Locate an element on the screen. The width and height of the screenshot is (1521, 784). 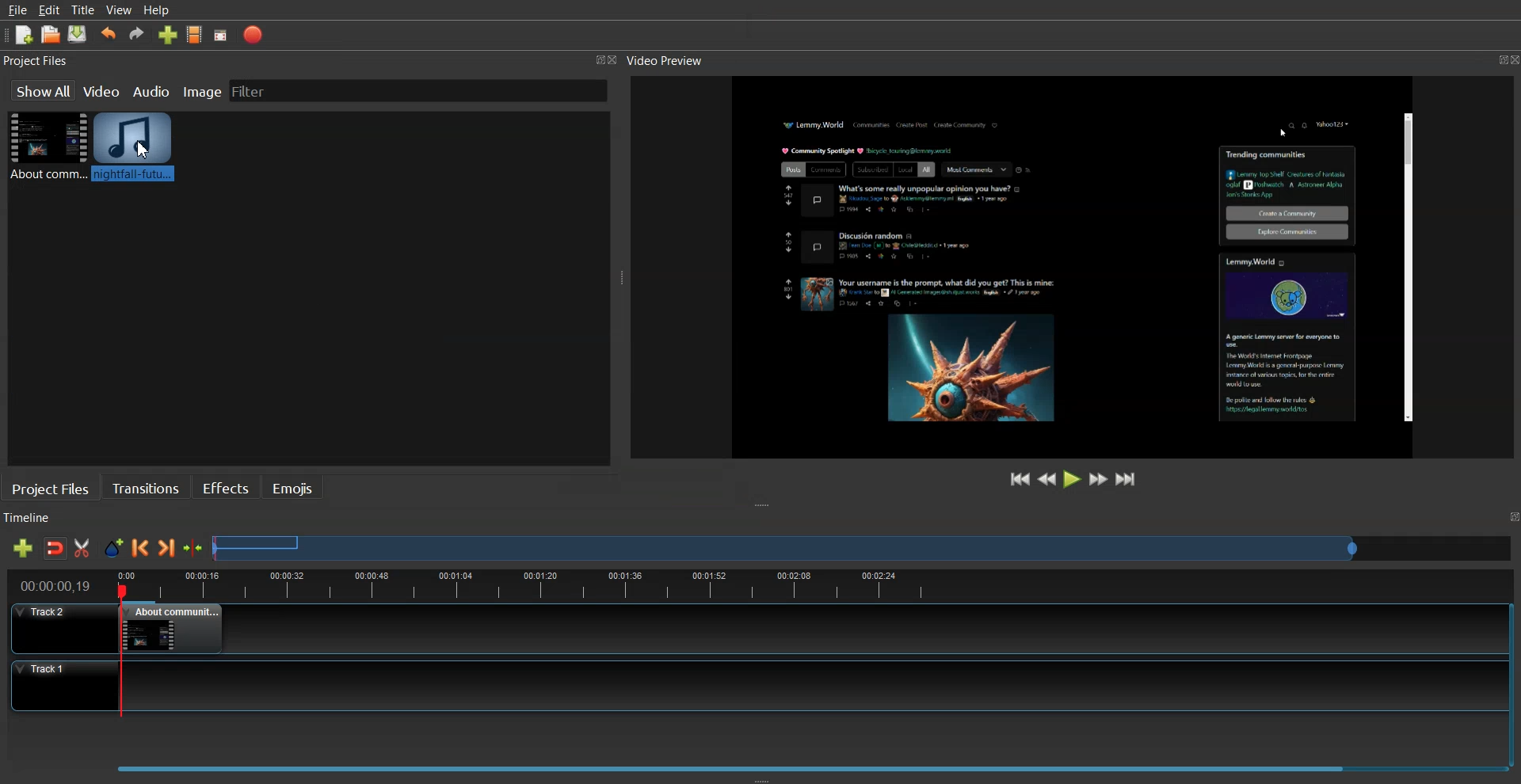
Undo is located at coordinates (109, 34).